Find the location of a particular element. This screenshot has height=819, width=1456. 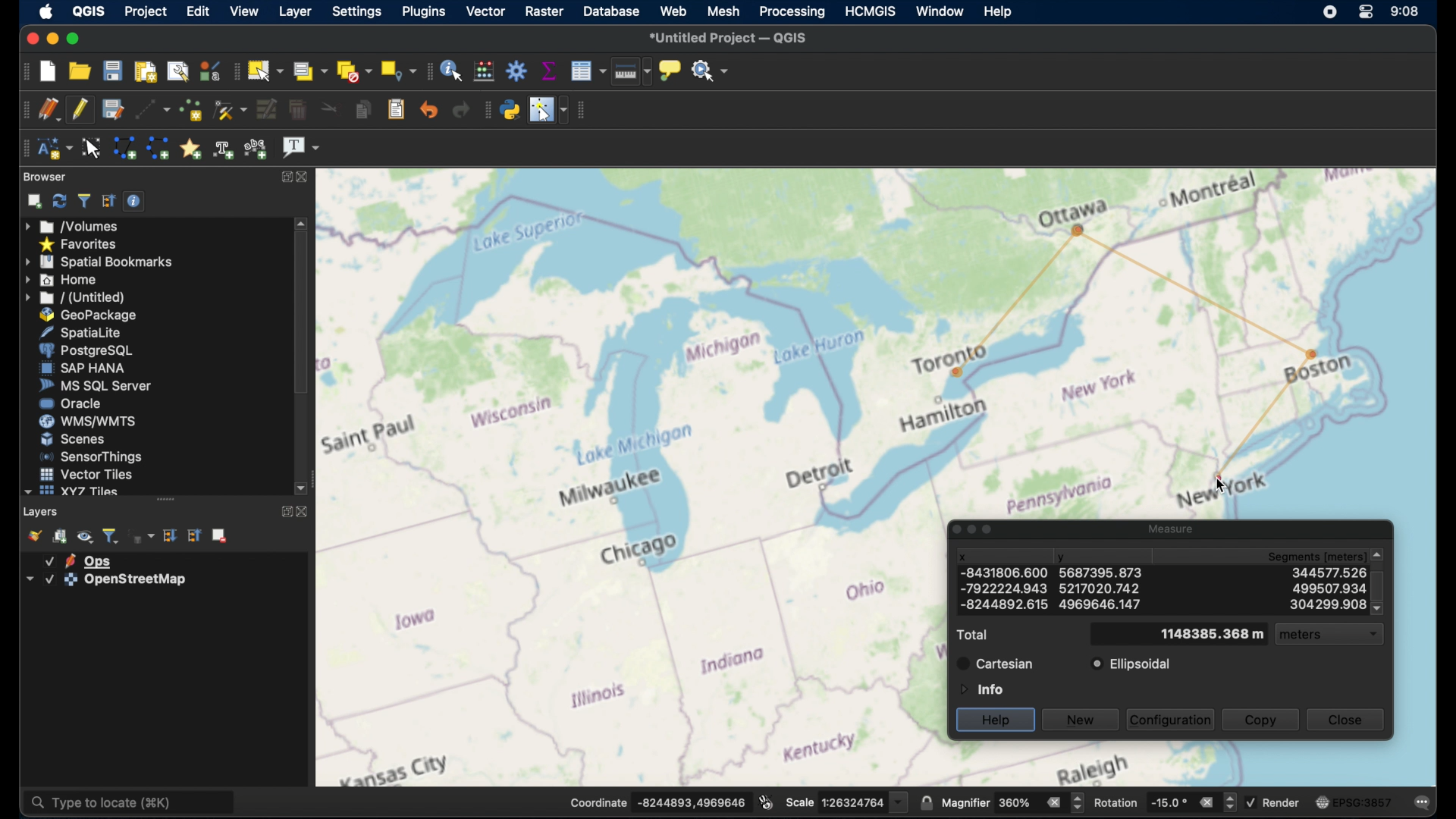

text annotation along line is located at coordinates (258, 148).